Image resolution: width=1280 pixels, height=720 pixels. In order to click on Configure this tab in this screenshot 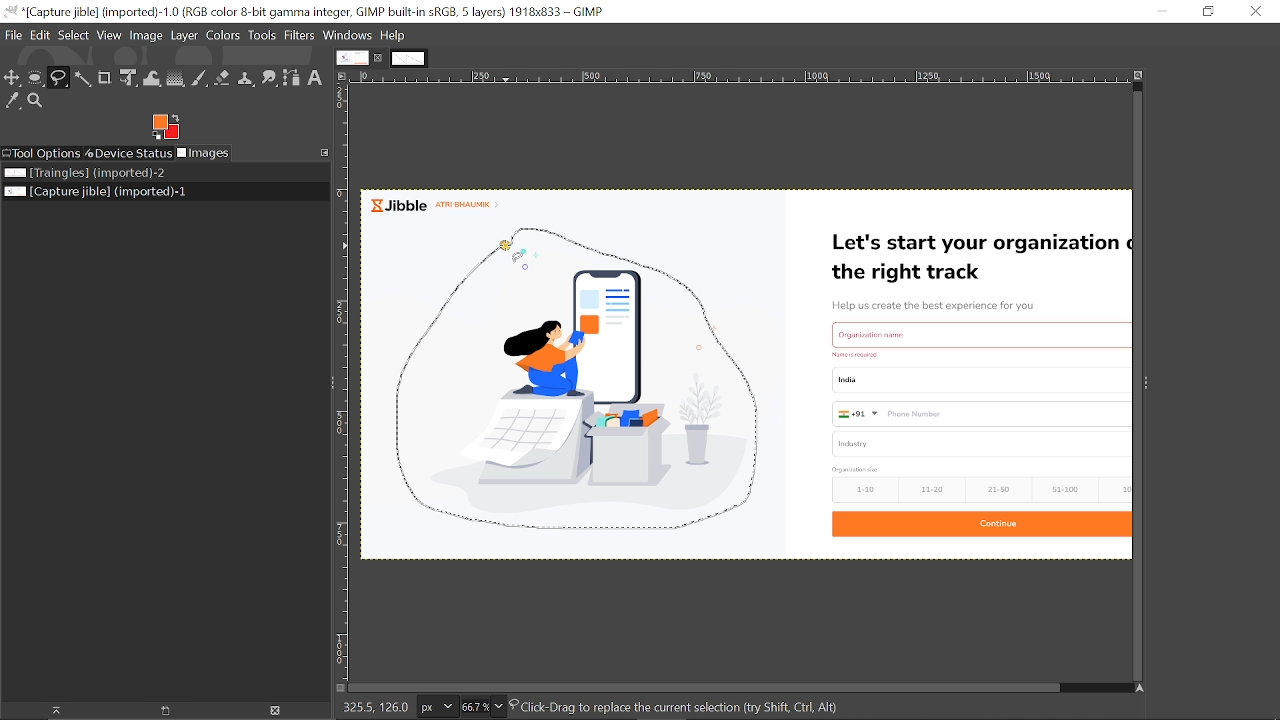, I will do `click(326, 152)`.